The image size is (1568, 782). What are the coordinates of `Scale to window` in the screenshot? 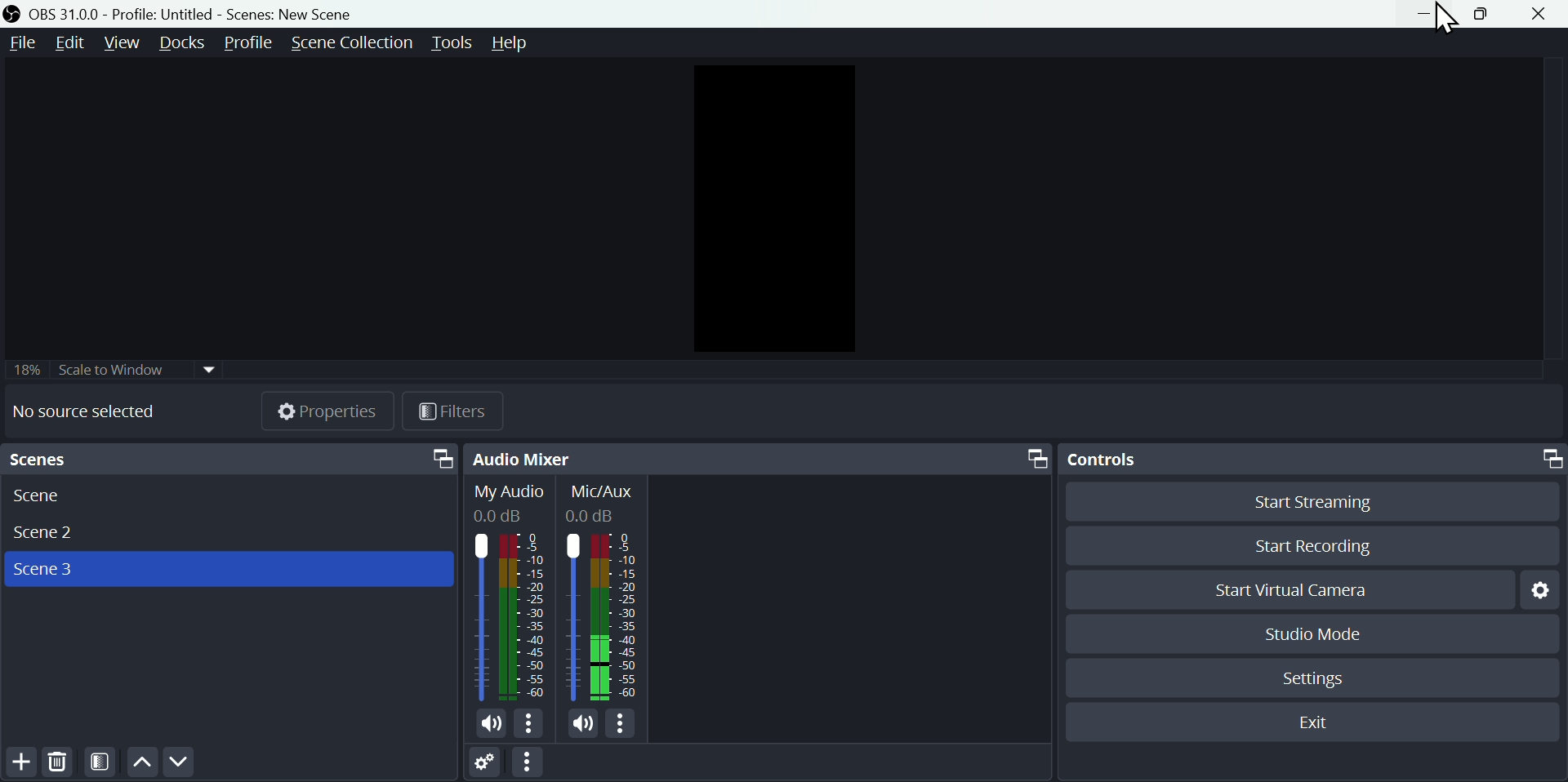 It's located at (152, 369).